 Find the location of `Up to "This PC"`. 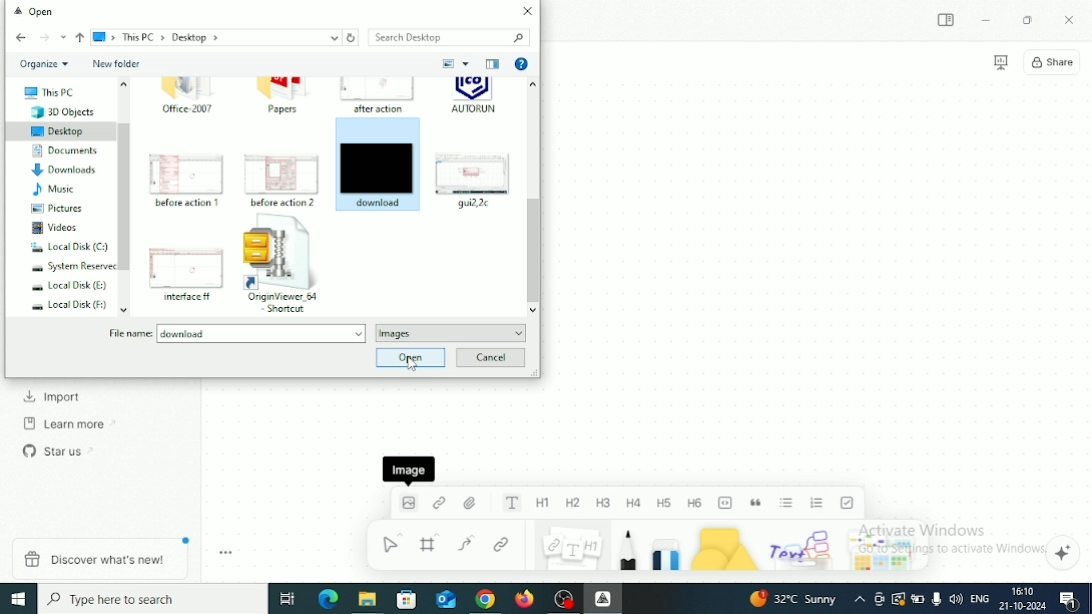

Up to "This PC" is located at coordinates (80, 38).